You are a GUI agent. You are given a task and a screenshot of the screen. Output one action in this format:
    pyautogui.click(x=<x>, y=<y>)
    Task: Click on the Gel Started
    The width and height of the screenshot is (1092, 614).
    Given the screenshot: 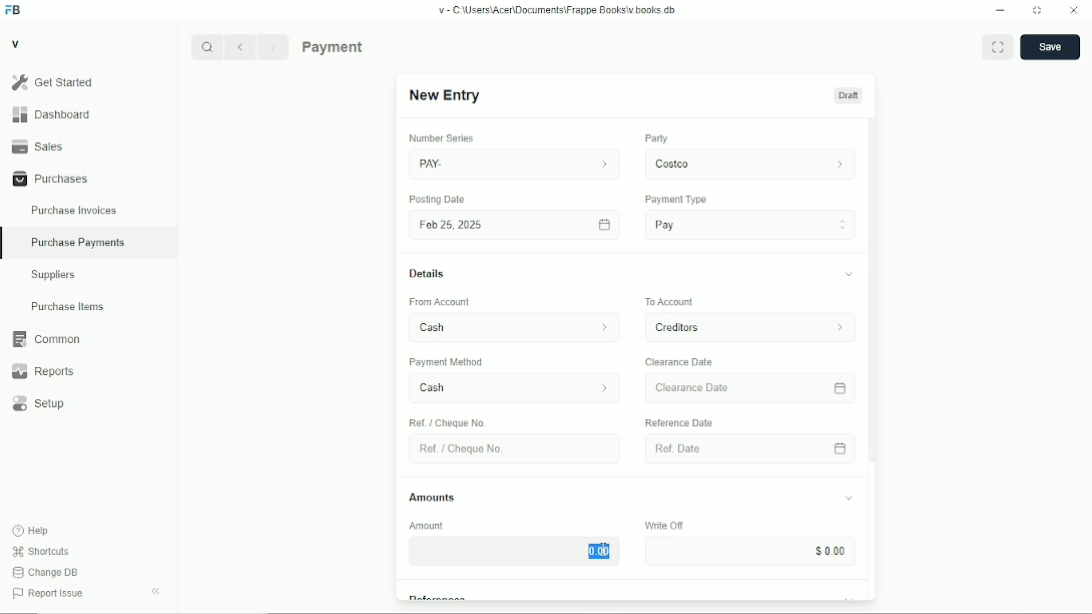 What is the action you would take?
    pyautogui.click(x=88, y=82)
    